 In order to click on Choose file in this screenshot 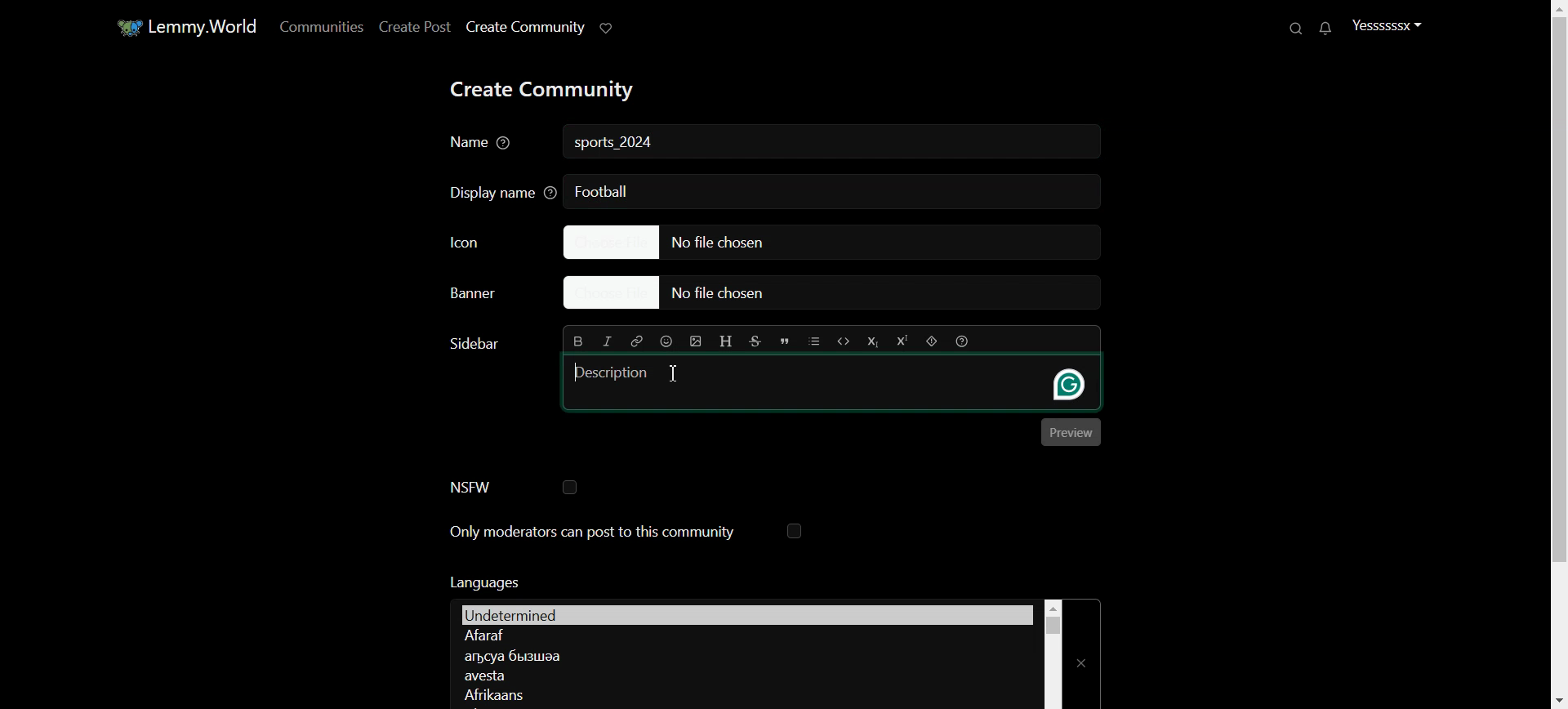, I will do `click(831, 241)`.